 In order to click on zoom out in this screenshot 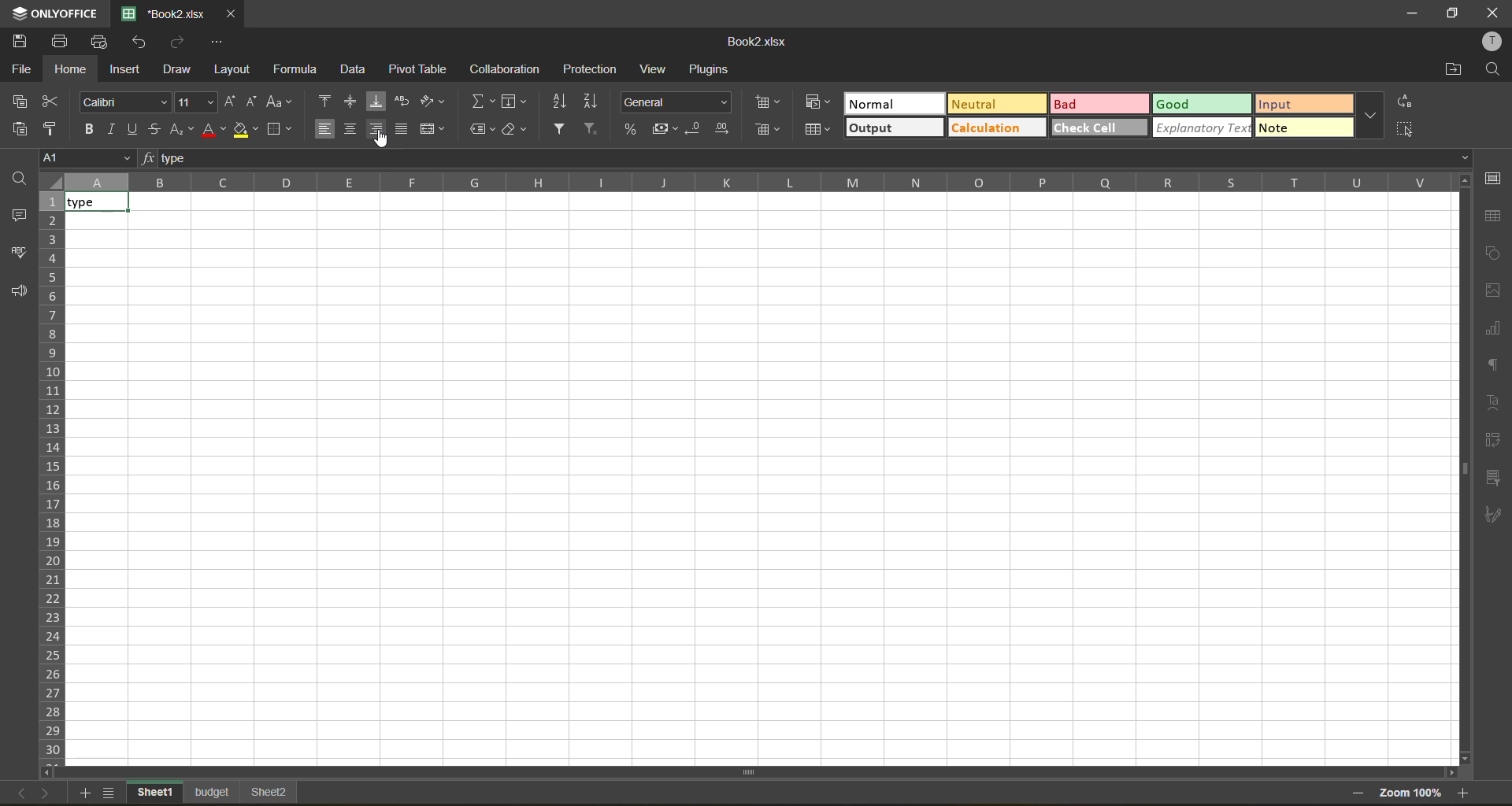, I will do `click(1355, 796)`.